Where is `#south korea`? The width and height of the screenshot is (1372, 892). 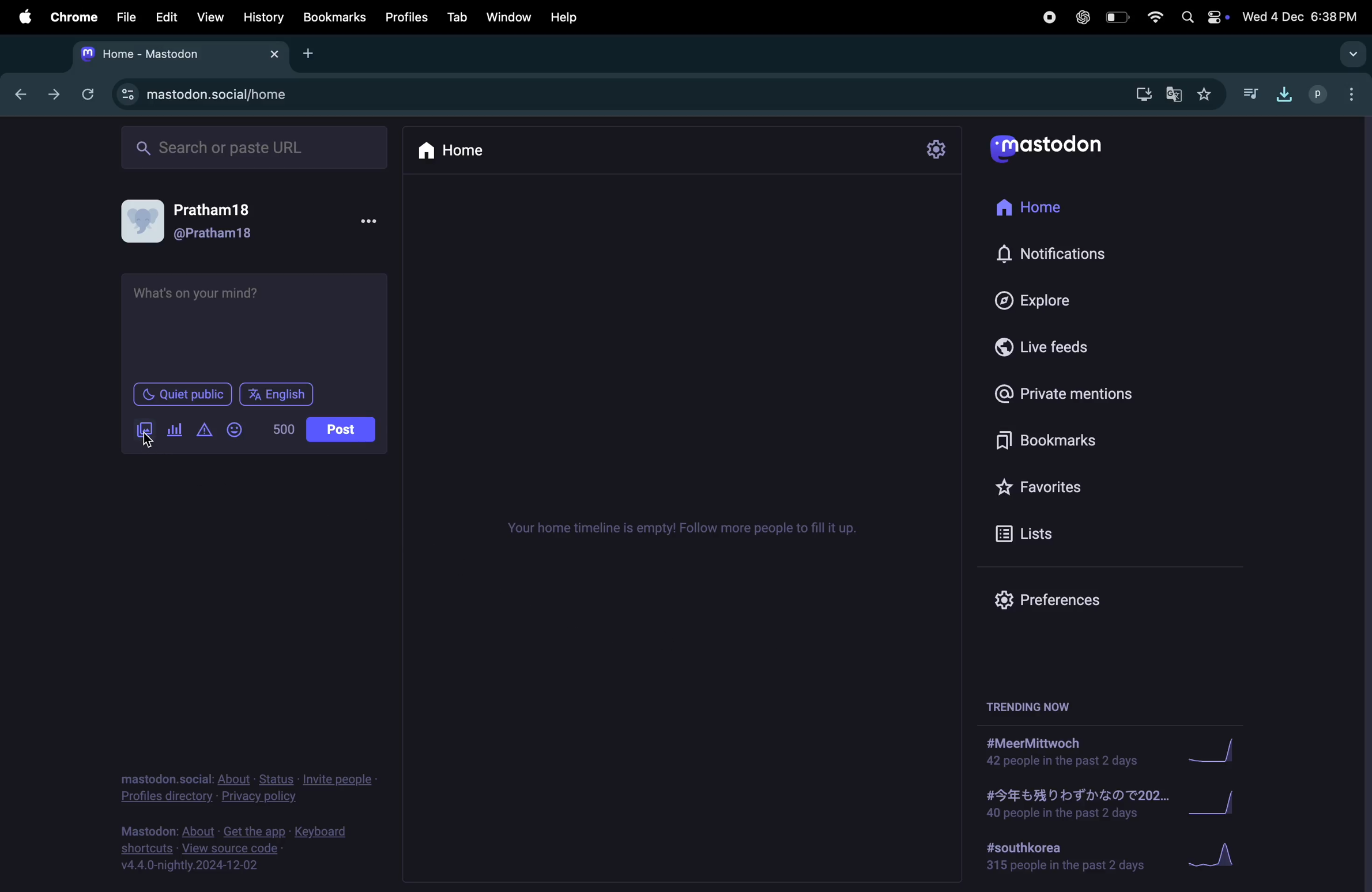
#south korea is located at coordinates (1062, 858).